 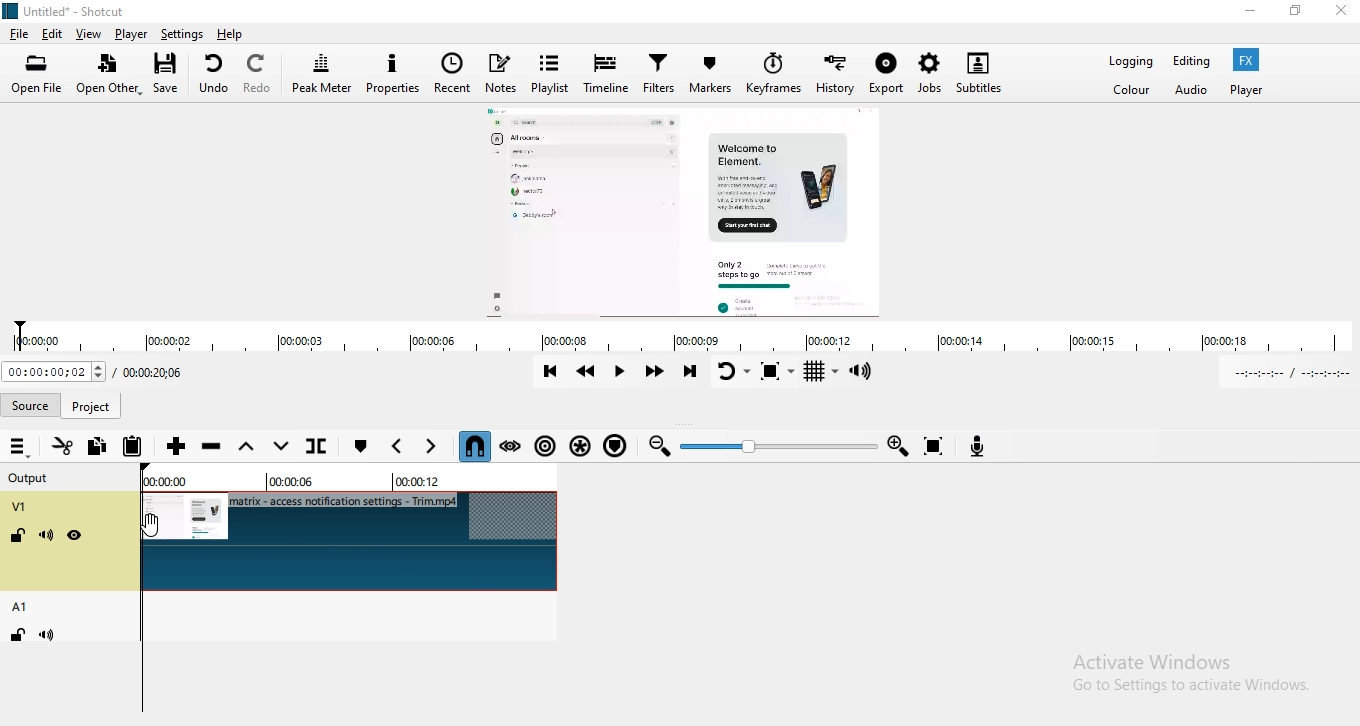 What do you see at coordinates (318, 446) in the screenshot?
I see `` at bounding box center [318, 446].